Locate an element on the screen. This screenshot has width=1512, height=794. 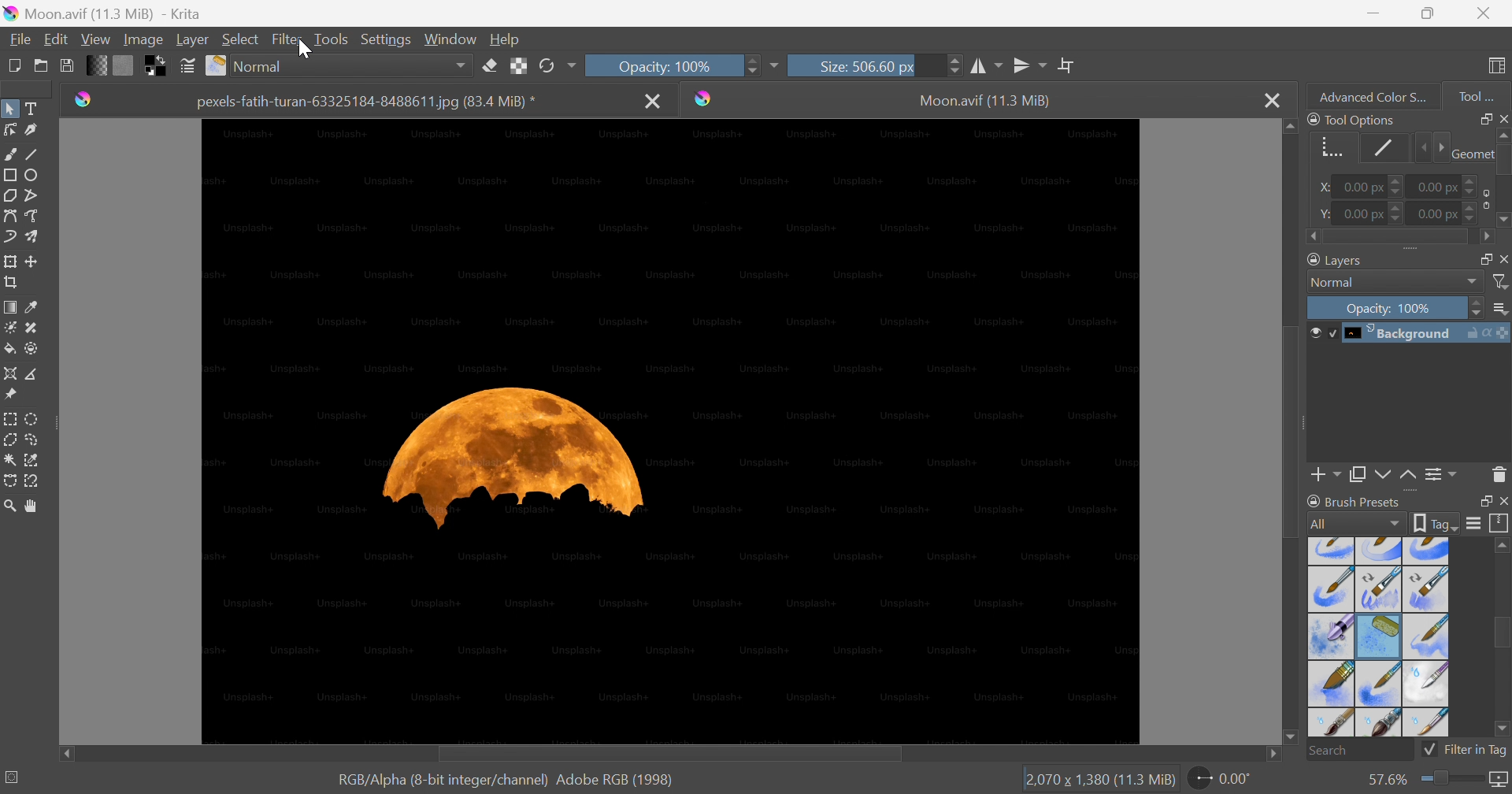
Freehand brush tool is located at coordinates (12, 153).